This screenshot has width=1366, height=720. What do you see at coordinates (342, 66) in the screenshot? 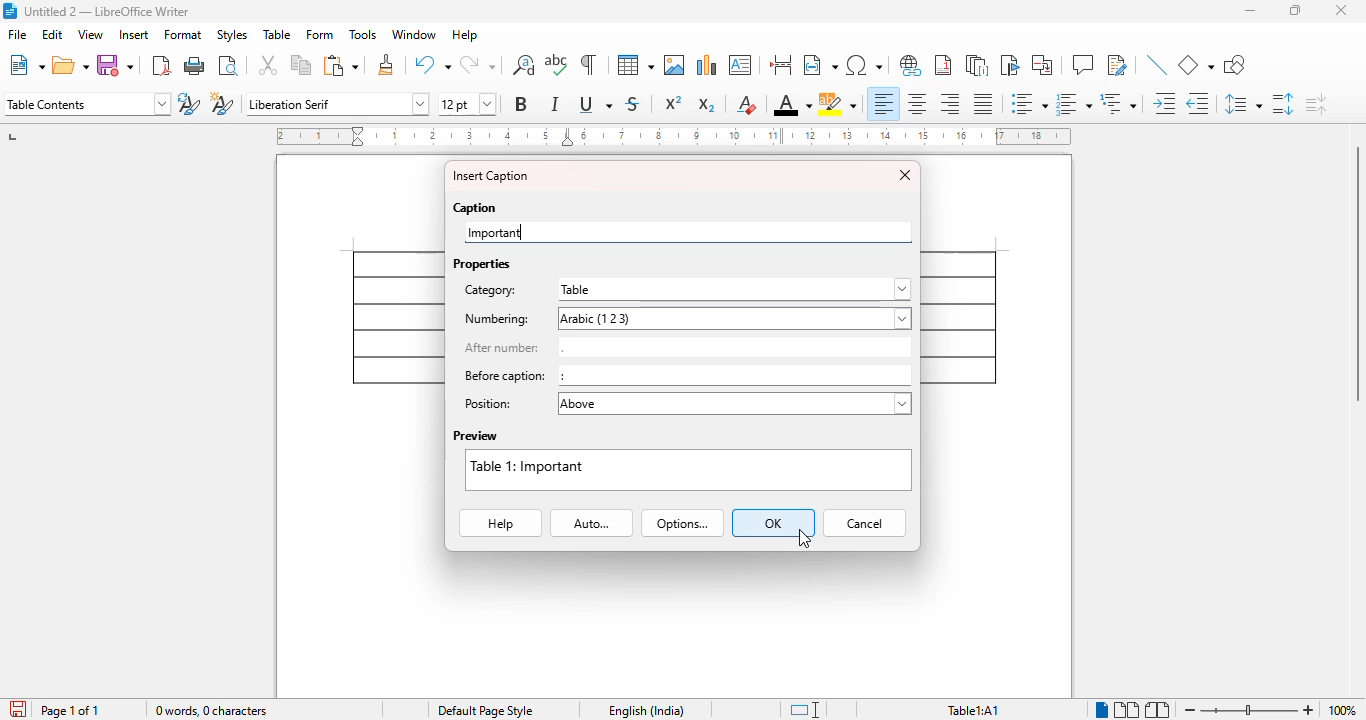
I see `paste` at bounding box center [342, 66].